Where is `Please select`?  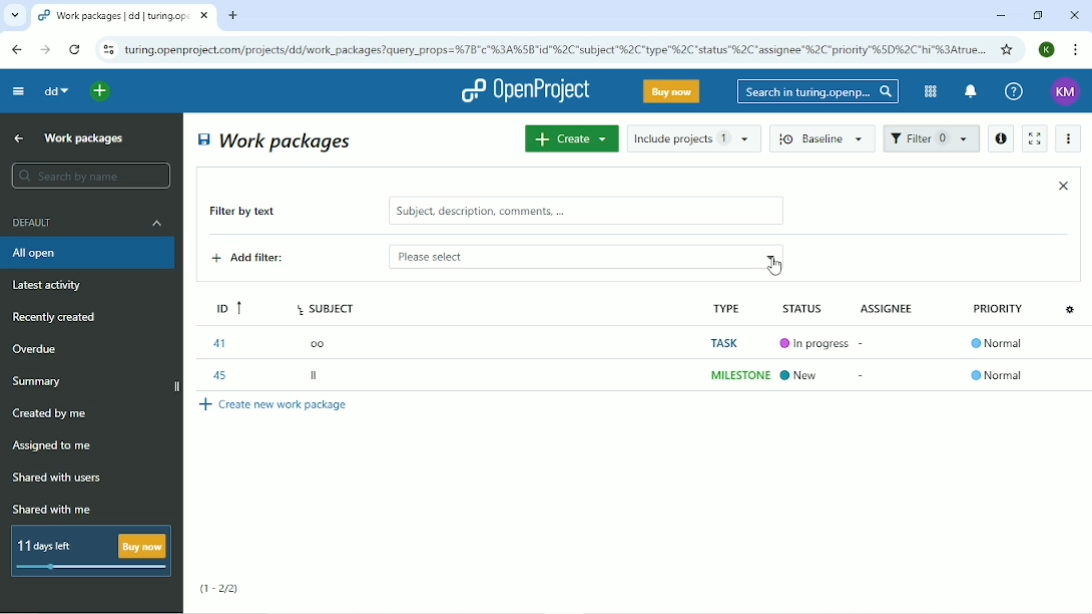 Please select is located at coordinates (548, 258).